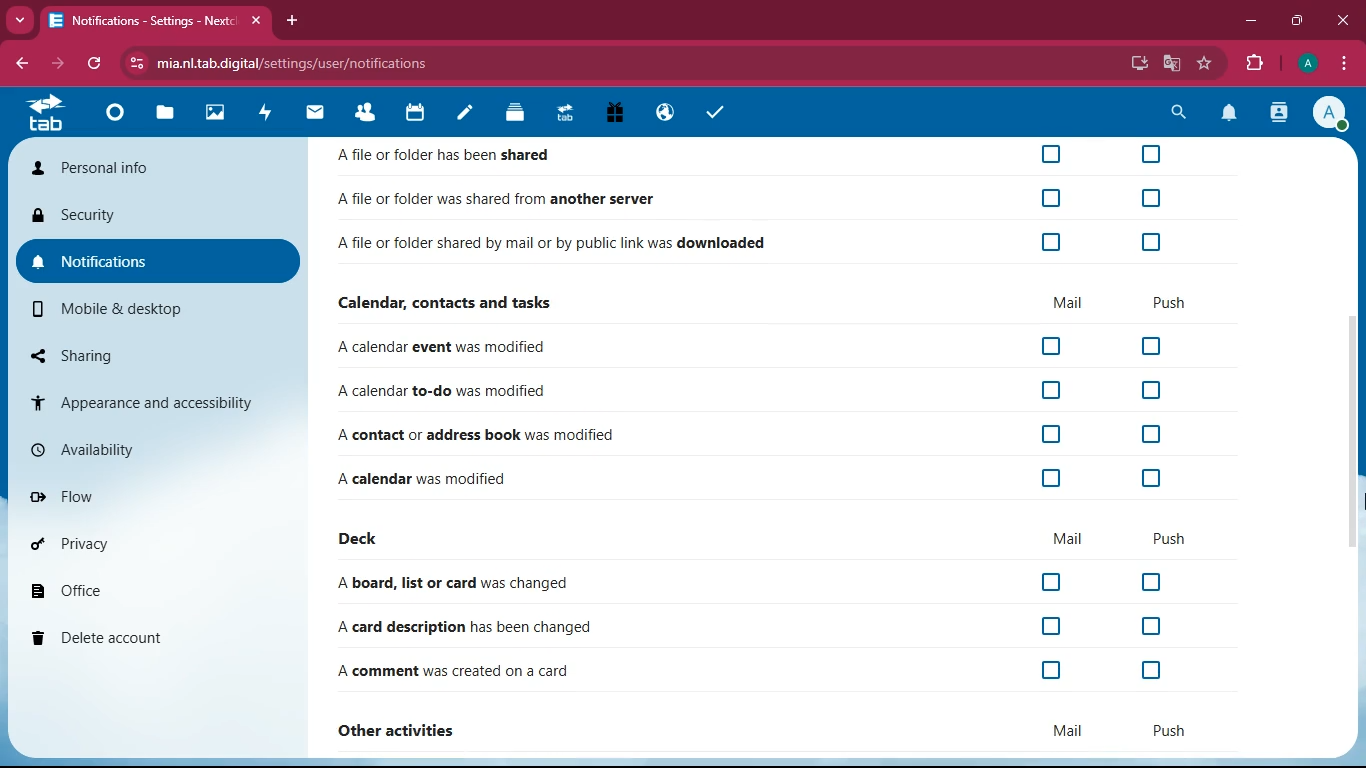 The width and height of the screenshot is (1366, 768). Describe the element at coordinates (1170, 729) in the screenshot. I see `push` at that location.